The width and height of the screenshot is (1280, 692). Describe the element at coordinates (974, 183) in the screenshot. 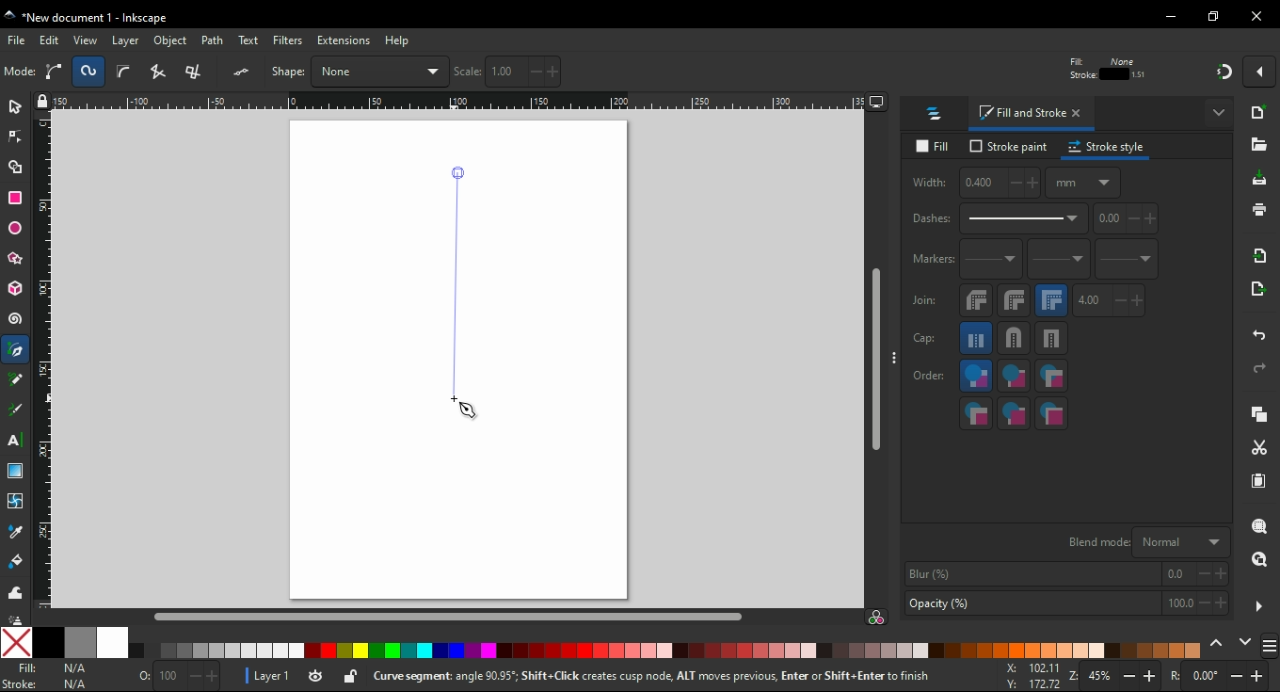

I see `width` at that location.